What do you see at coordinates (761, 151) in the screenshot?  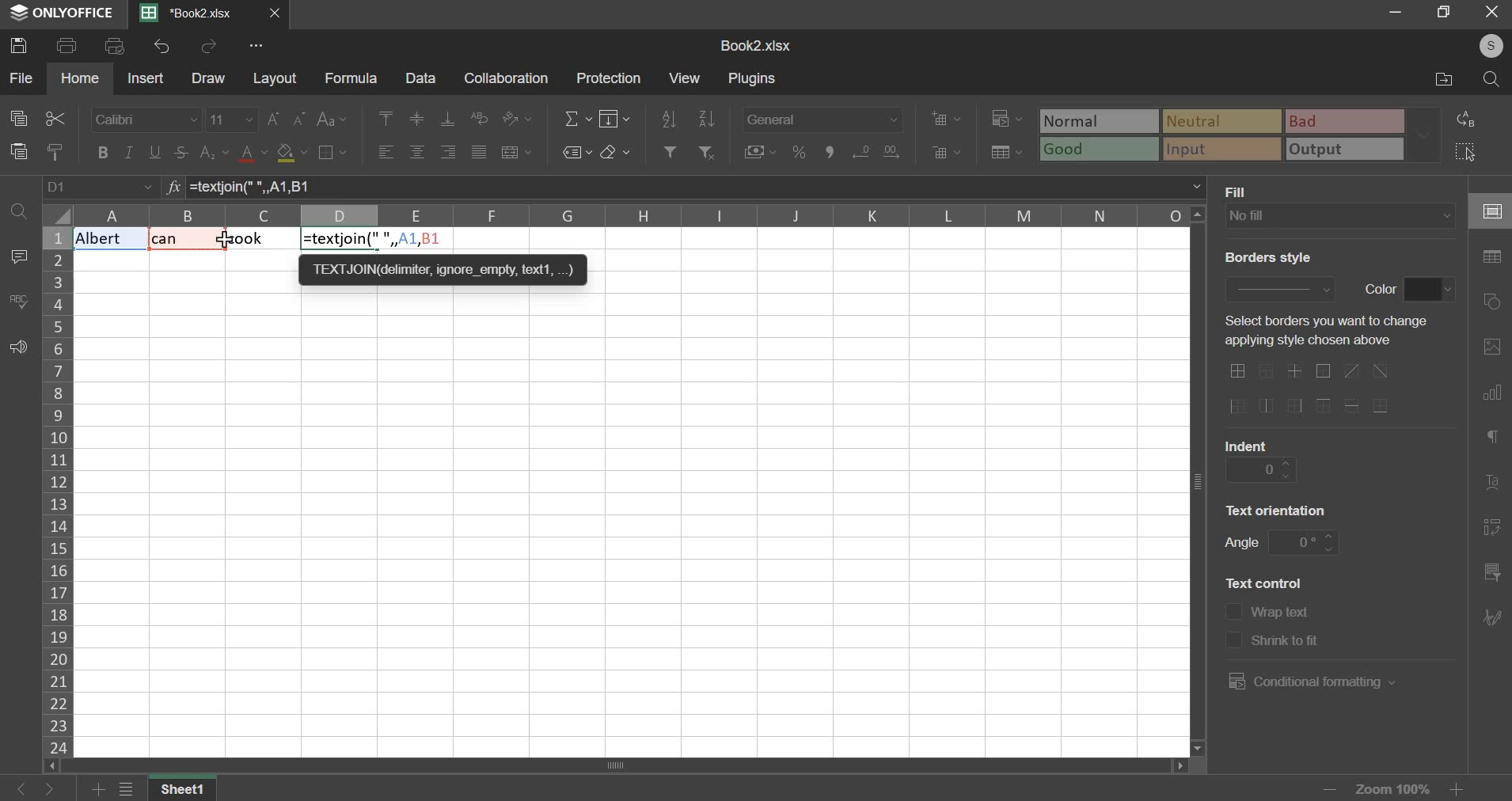 I see `accounting style` at bounding box center [761, 151].